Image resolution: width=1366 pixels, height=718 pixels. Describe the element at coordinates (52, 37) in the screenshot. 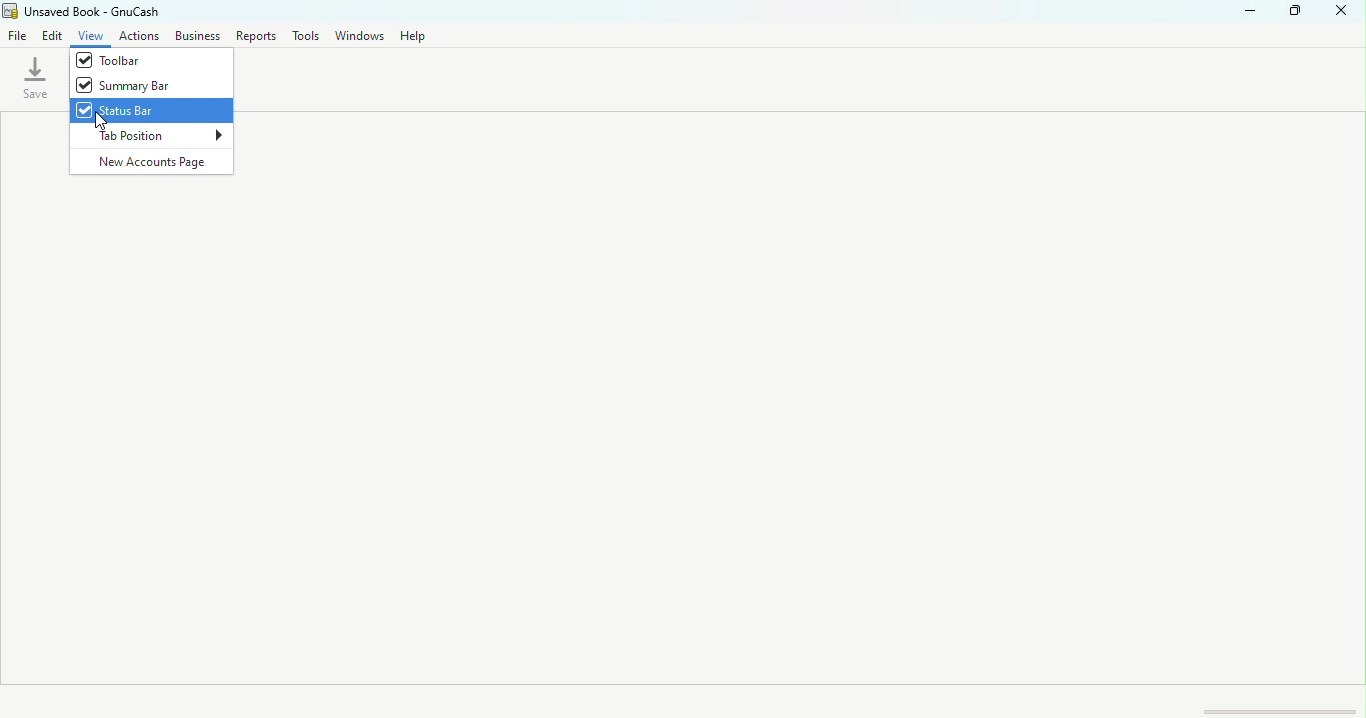

I see `Edit` at that location.